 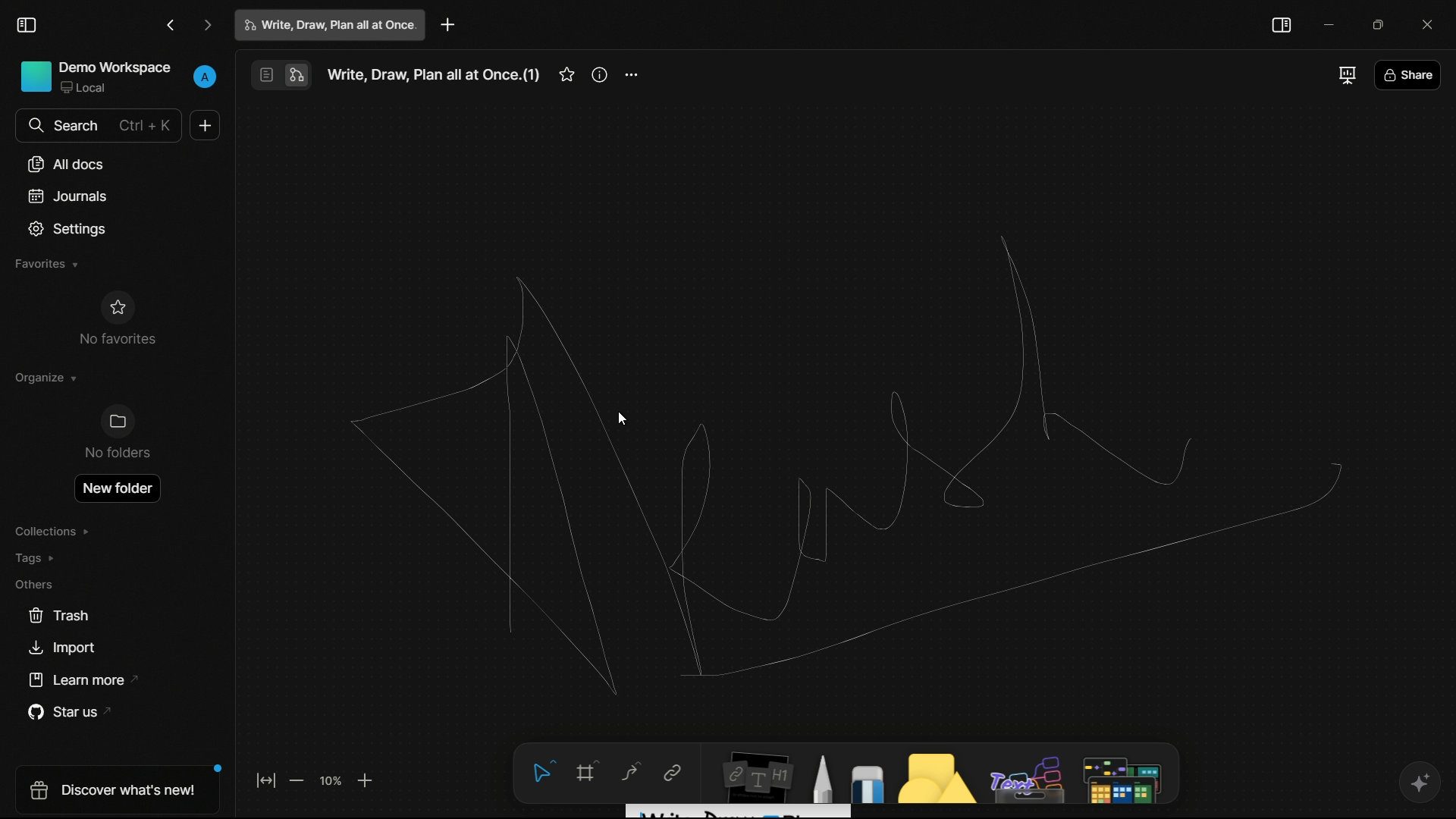 What do you see at coordinates (67, 164) in the screenshot?
I see `all docs` at bounding box center [67, 164].